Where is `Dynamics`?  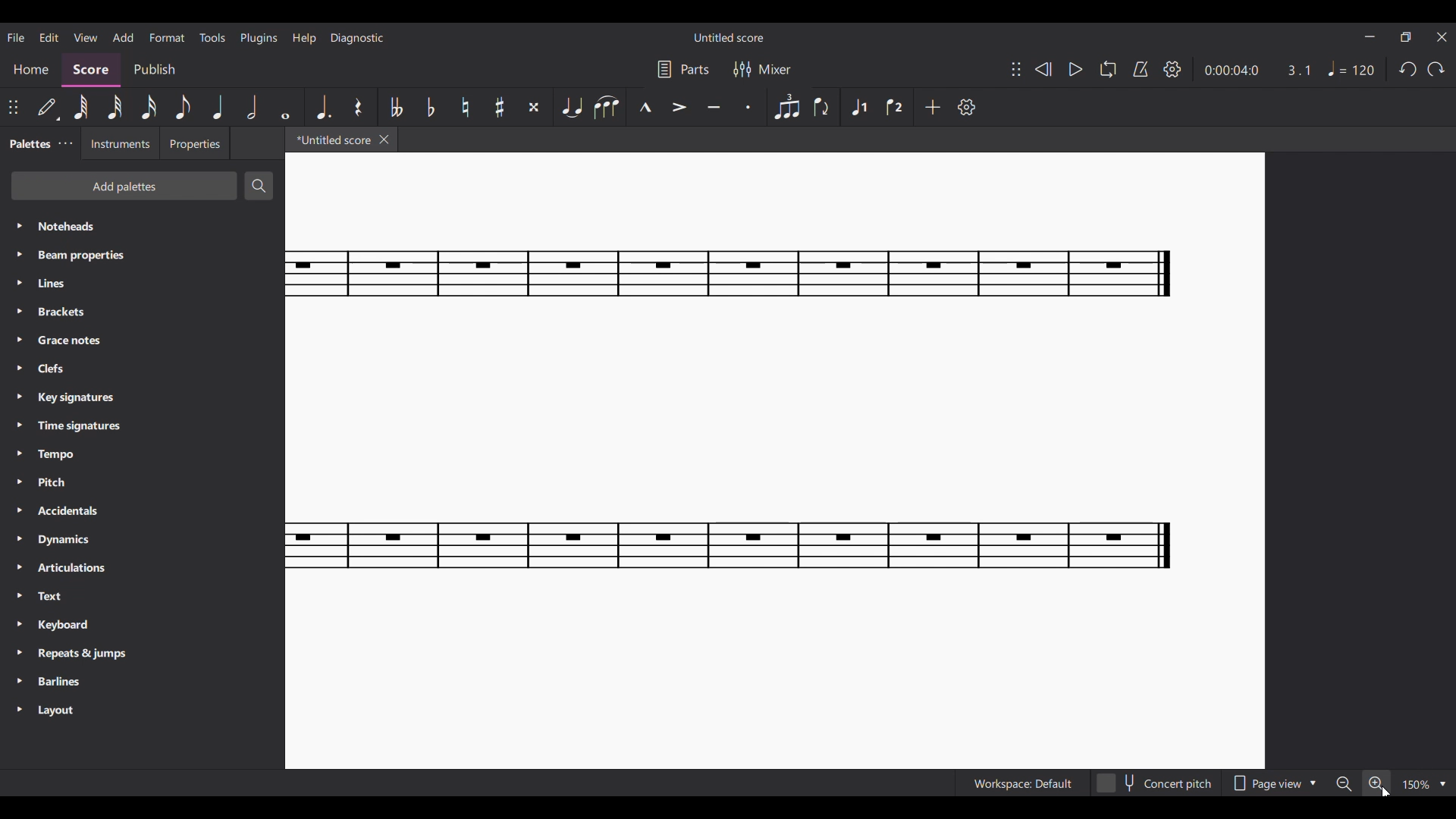
Dynamics is located at coordinates (143, 540).